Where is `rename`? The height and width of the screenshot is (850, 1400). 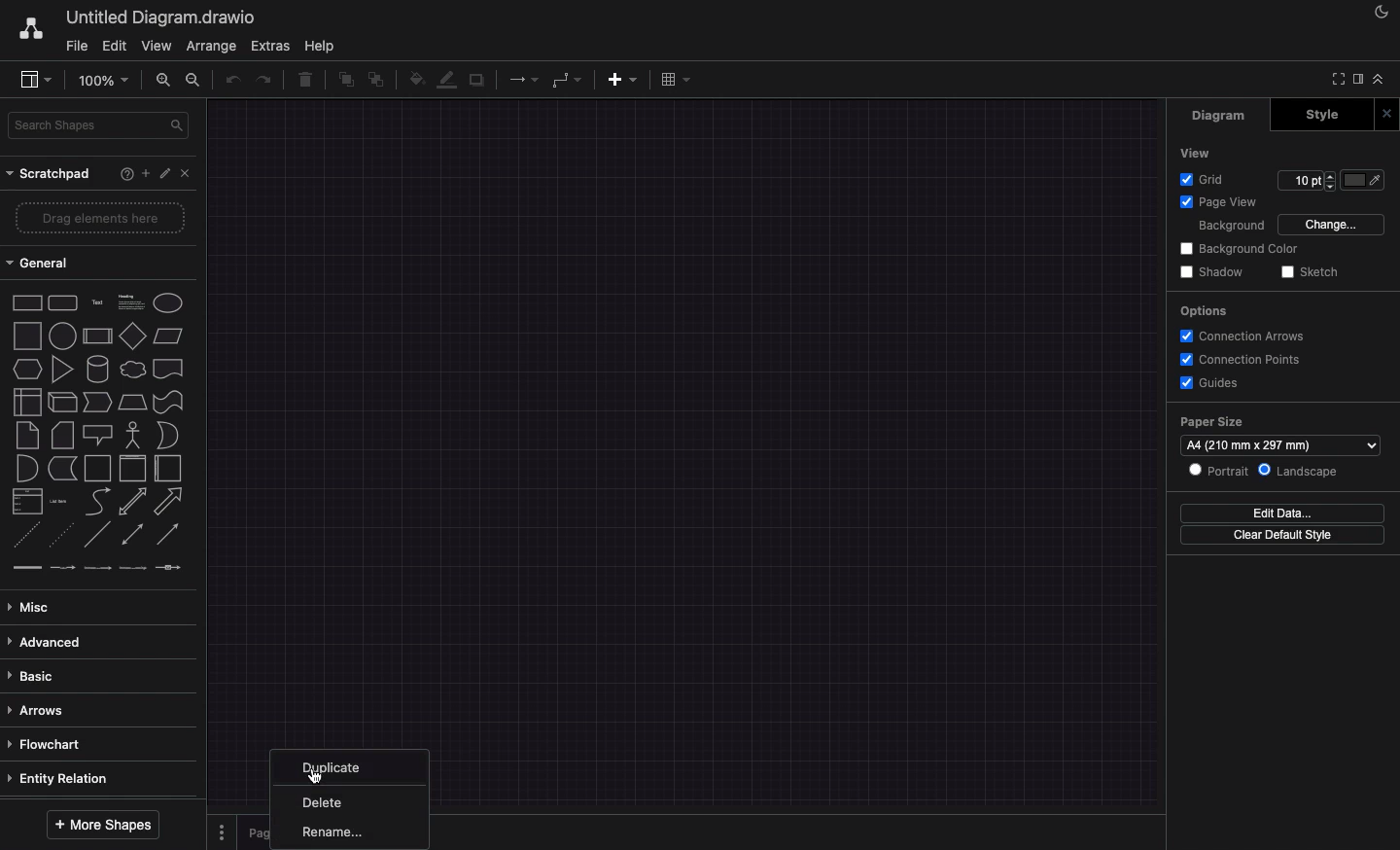 rename is located at coordinates (349, 831).